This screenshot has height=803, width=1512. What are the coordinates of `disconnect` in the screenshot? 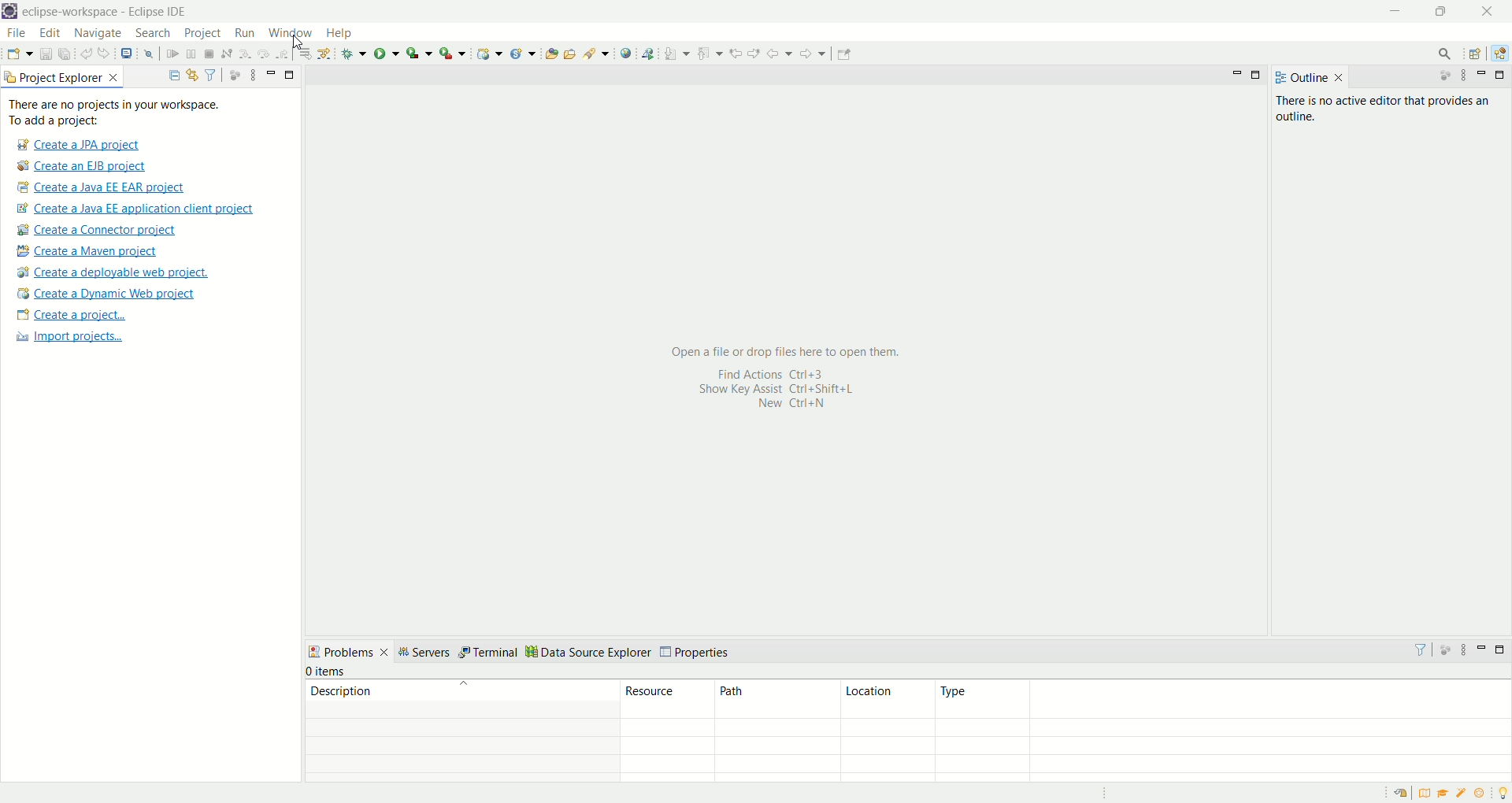 It's located at (225, 54).